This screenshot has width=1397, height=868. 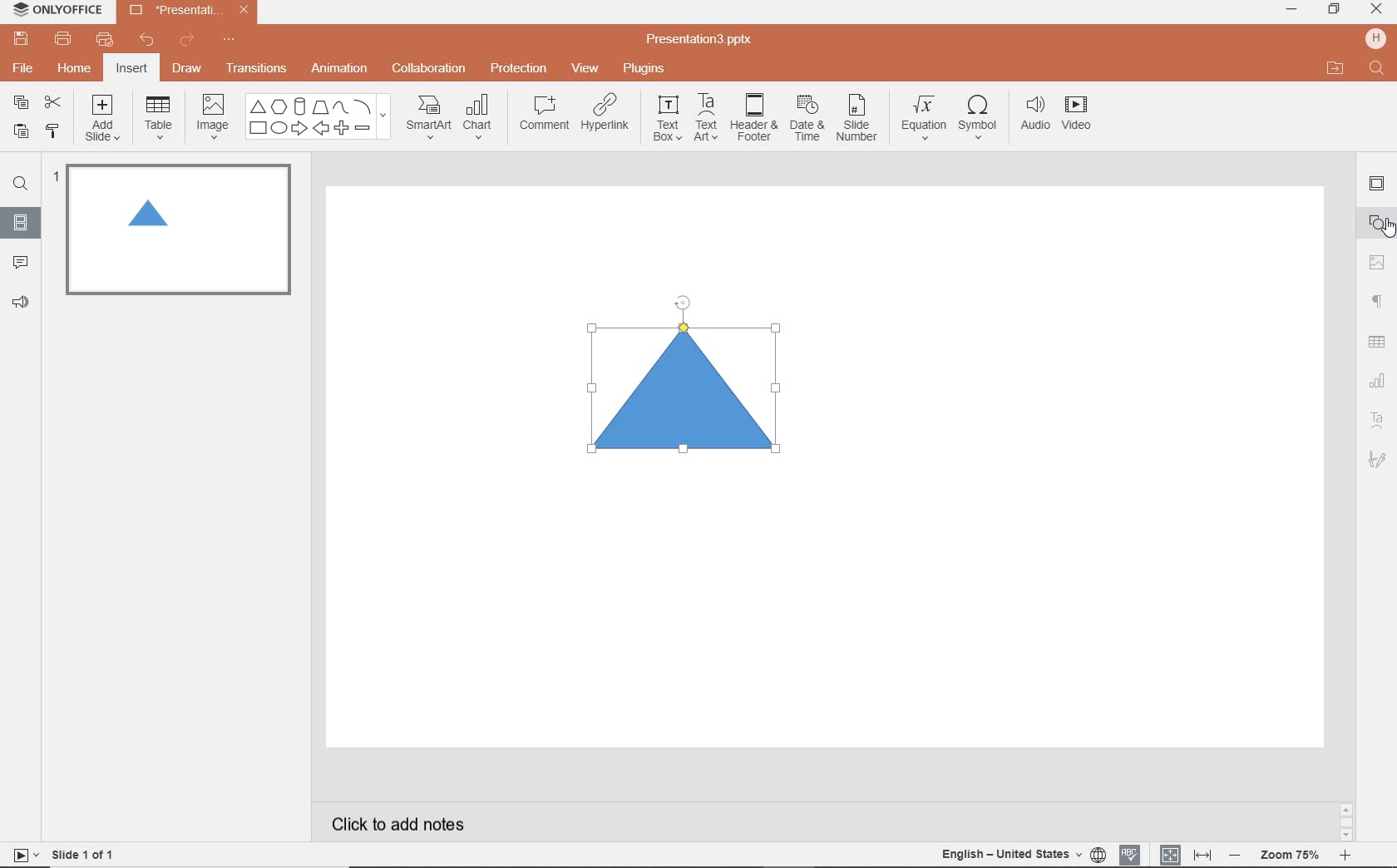 What do you see at coordinates (54, 131) in the screenshot?
I see `COPY STYLE` at bounding box center [54, 131].